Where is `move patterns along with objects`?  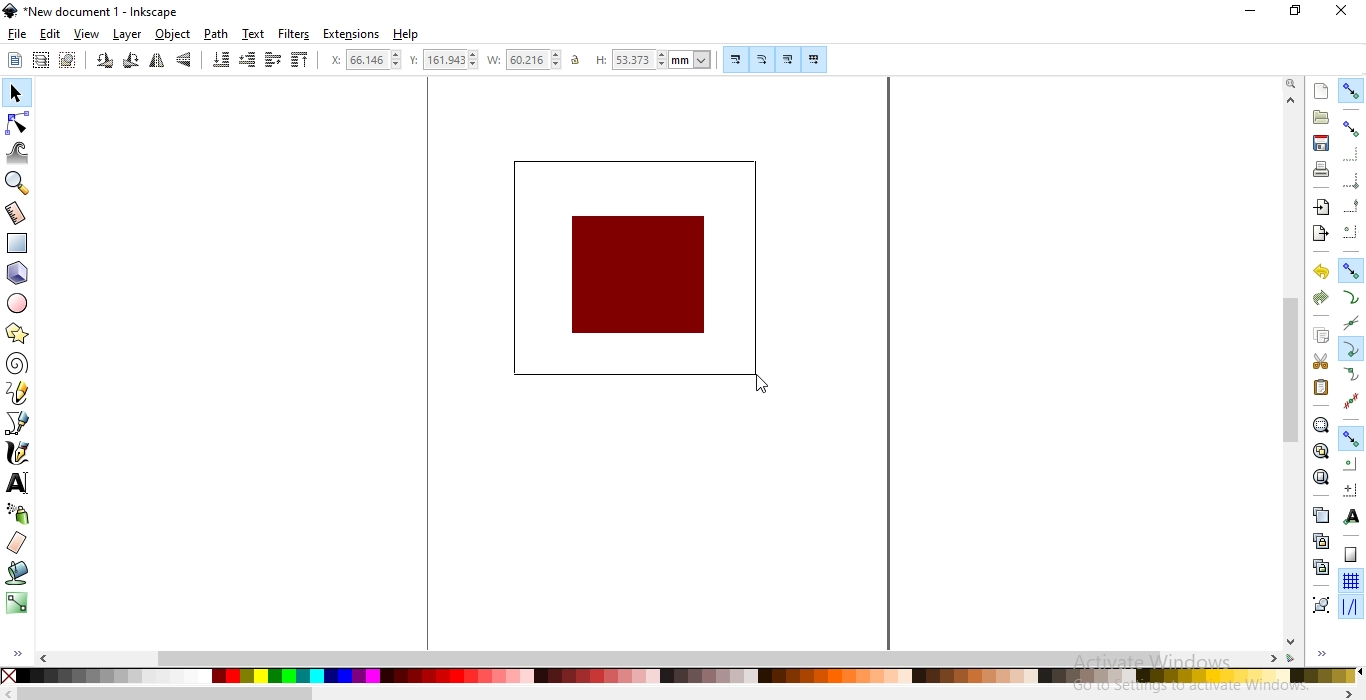 move patterns along with objects is located at coordinates (814, 60).